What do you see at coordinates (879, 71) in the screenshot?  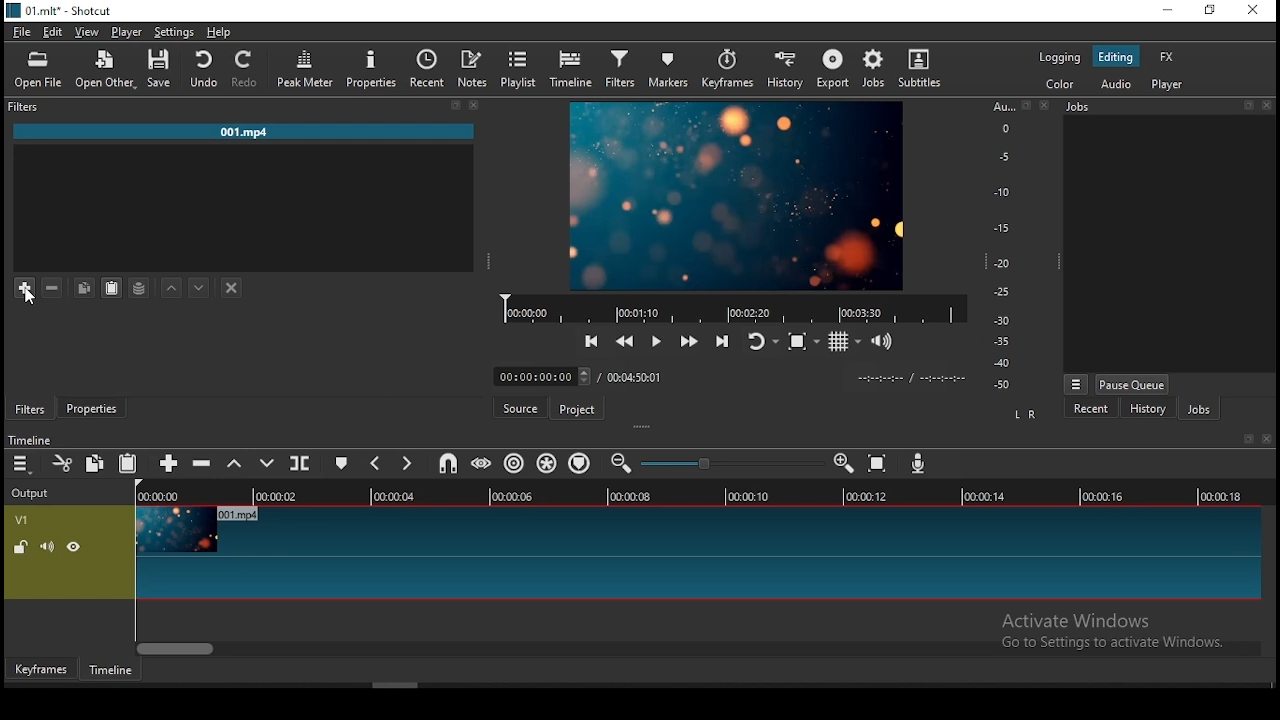 I see `jobs` at bounding box center [879, 71].